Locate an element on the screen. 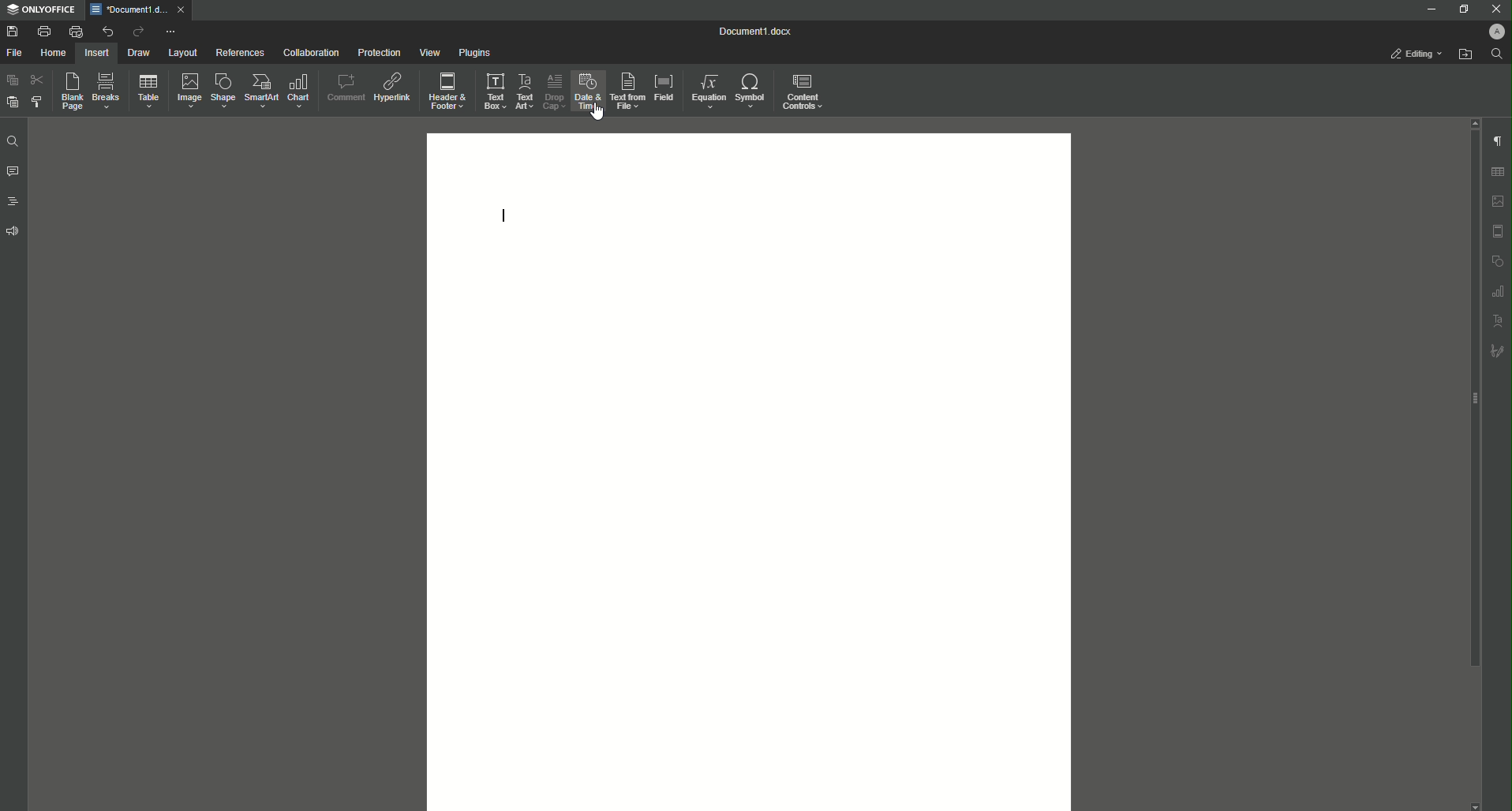 The height and width of the screenshot is (811, 1512). Date and Time is located at coordinates (586, 90).